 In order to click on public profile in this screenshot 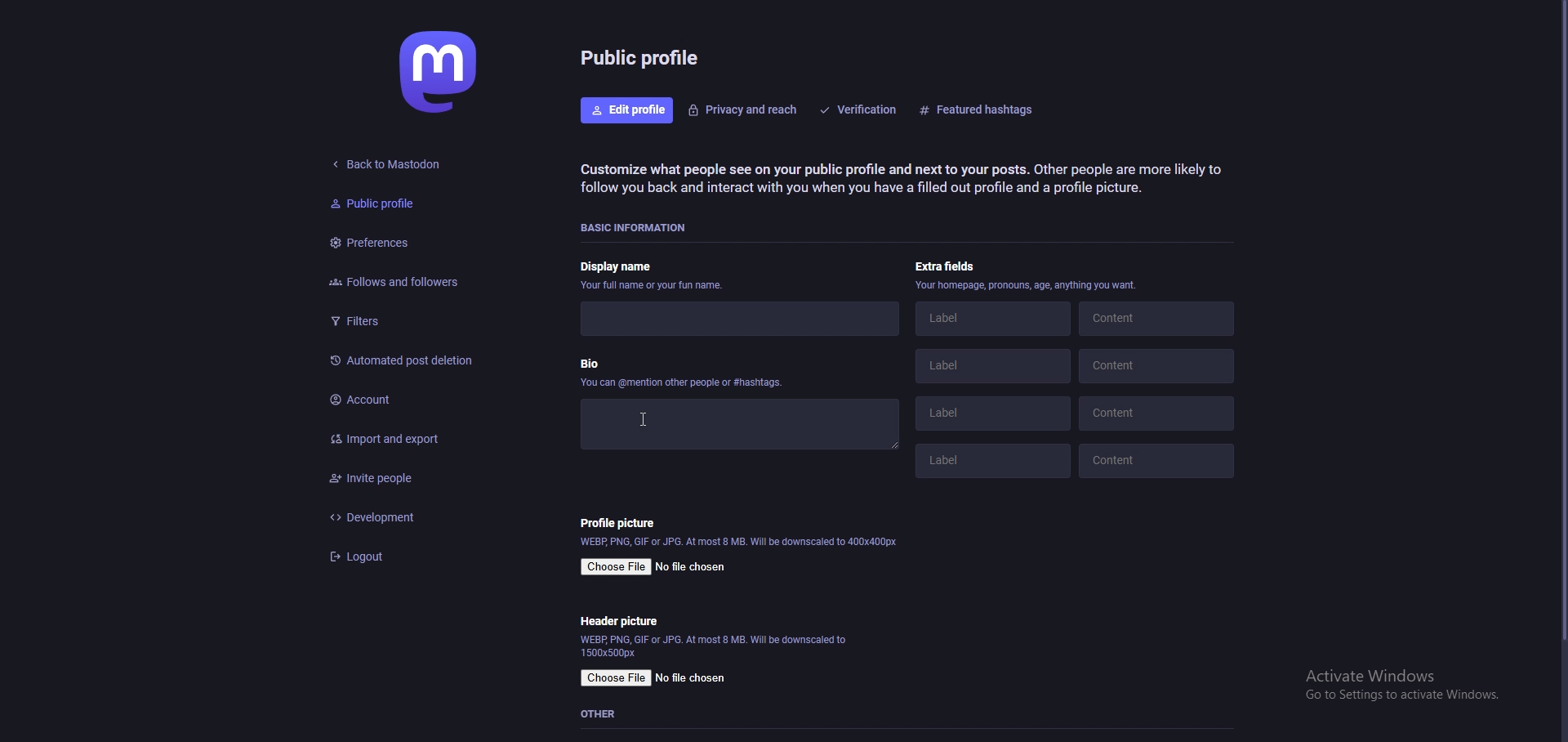, I will do `click(643, 56)`.